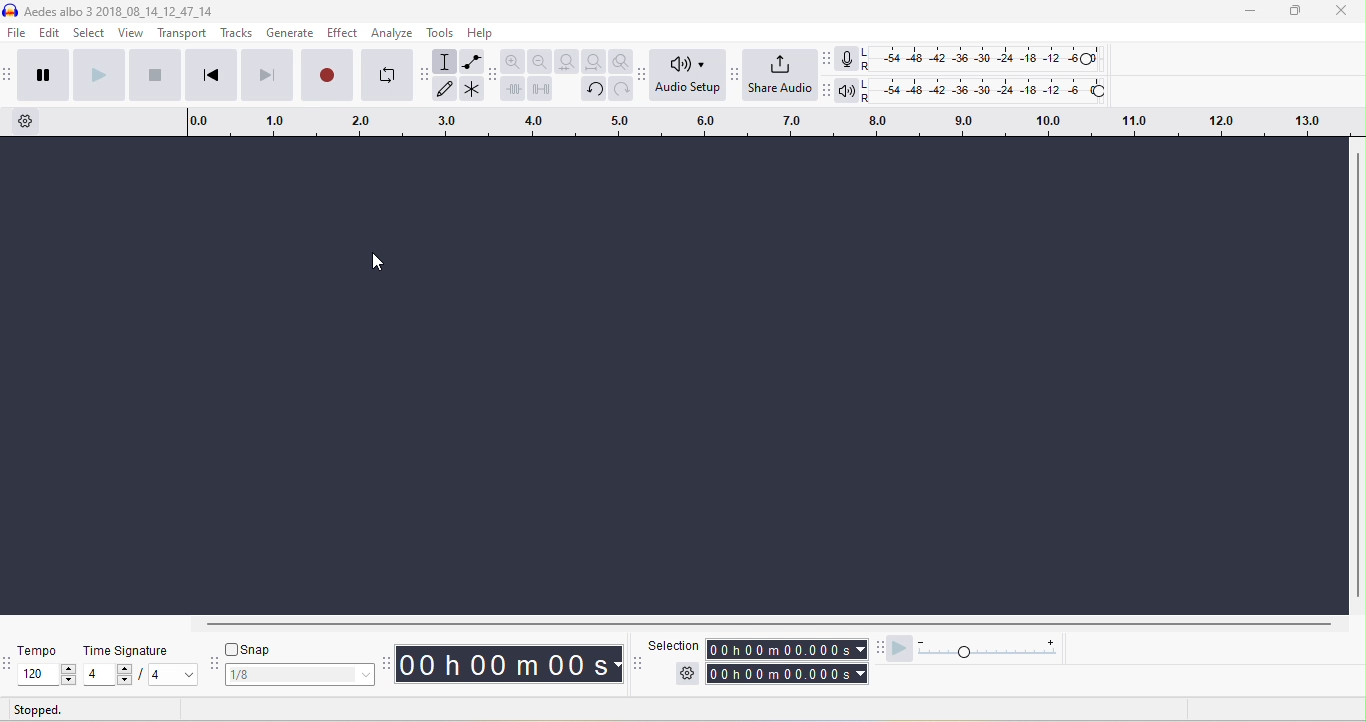 Image resolution: width=1366 pixels, height=722 pixels. I want to click on snap, so click(231, 649).